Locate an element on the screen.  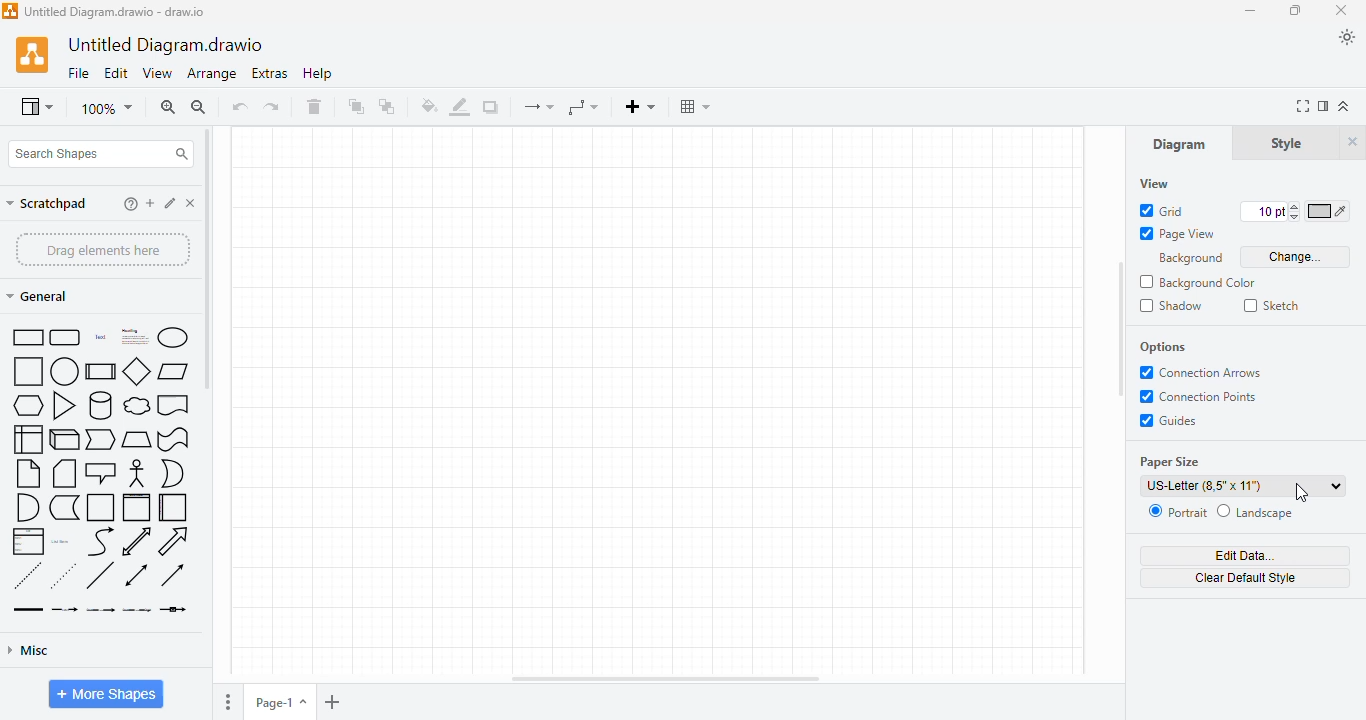
zoom is located at coordinates (107, 110).